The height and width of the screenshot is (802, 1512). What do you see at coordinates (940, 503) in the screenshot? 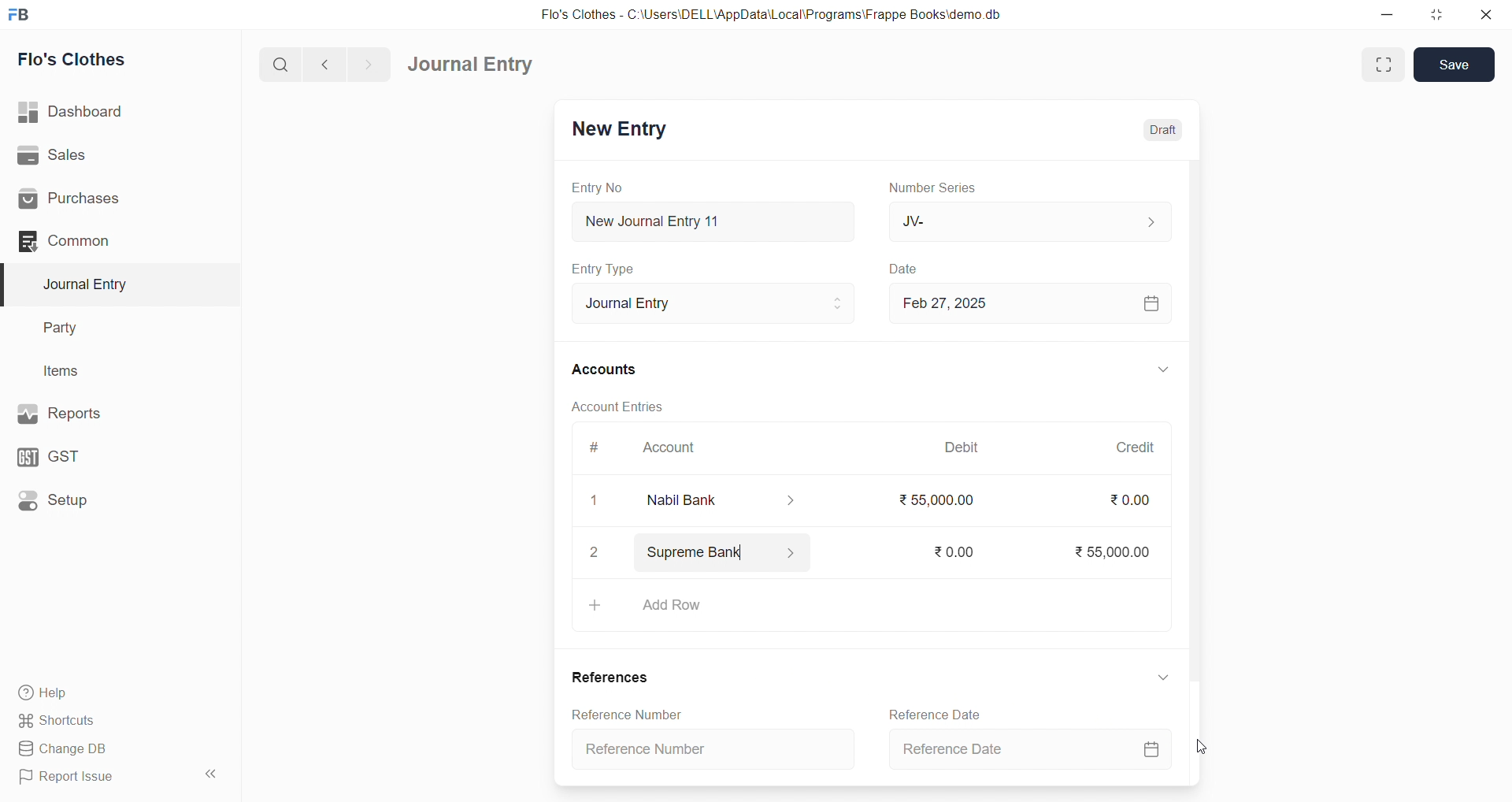
I see `₹55000.00` at bounding box center [940, 503].